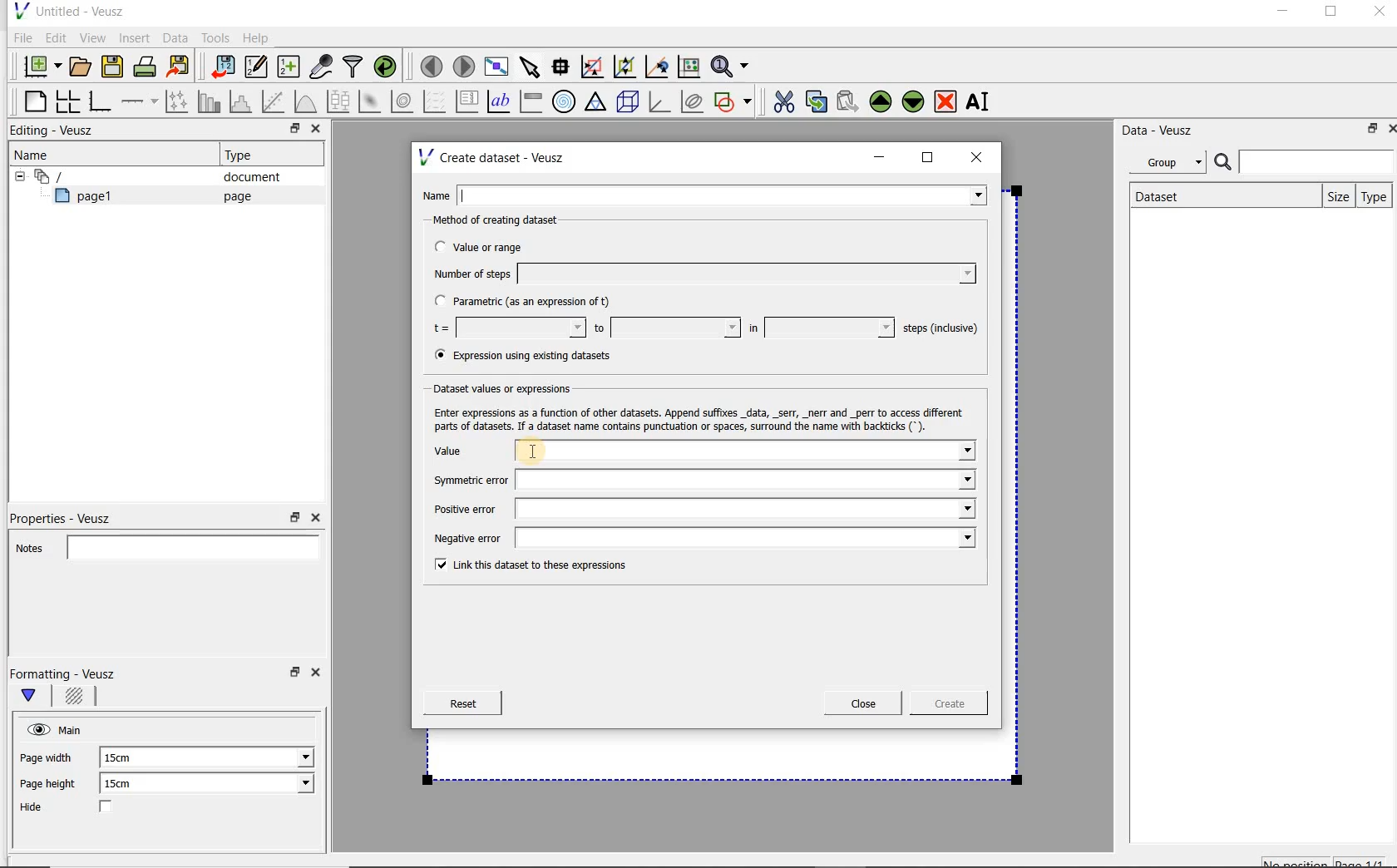 This screenshot has width=1397, height=868. What do you see at coordinates (56, 131) in the screenshot?
I see `Editing - Veusz` at bounding box center [56, 131].